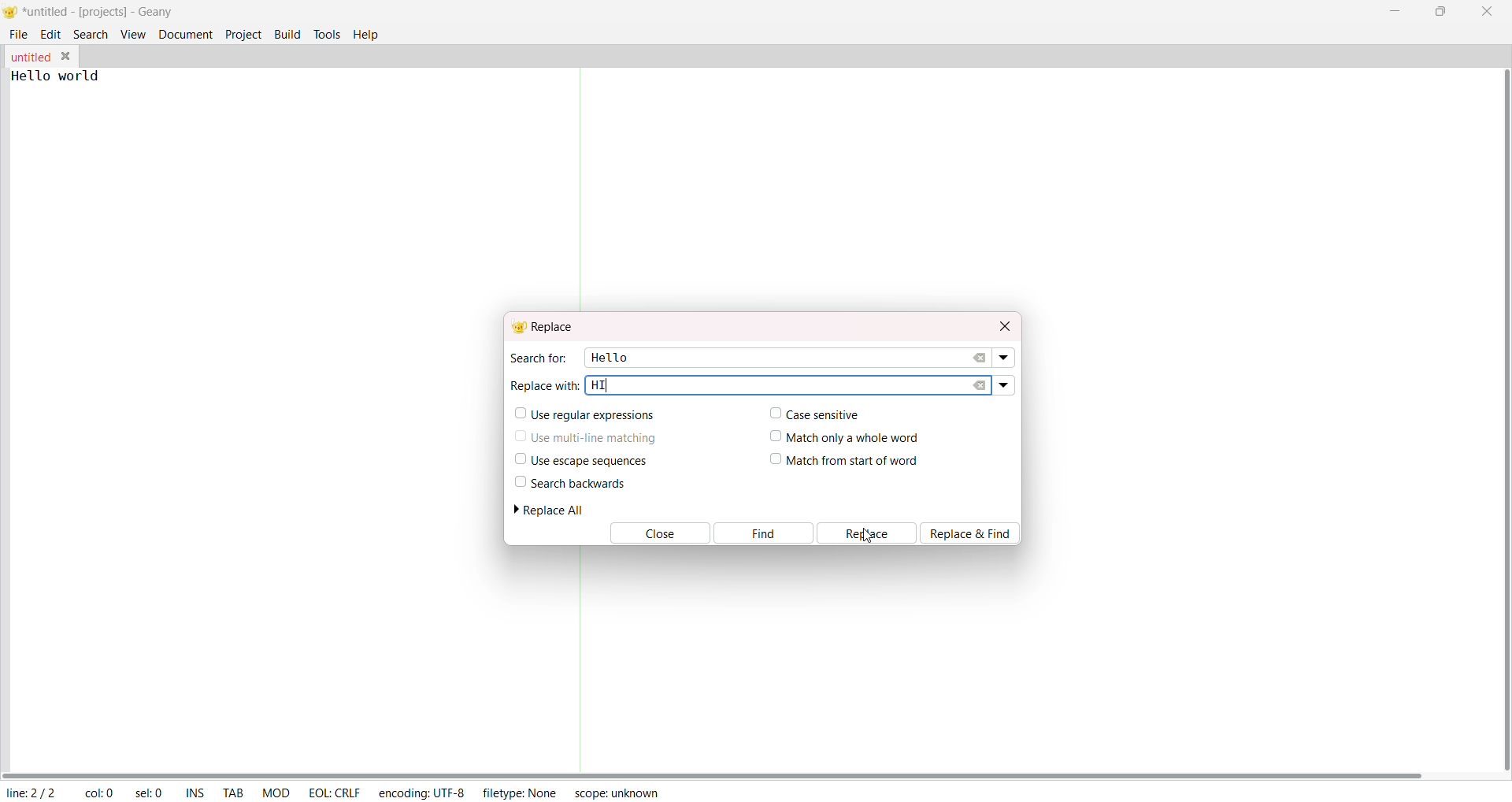 This screenshot has height=802, width=1512. What do you see at coordinates (1002, 324) in the screenshot?
I see `close dialog` at bounding box center [1002, 324].